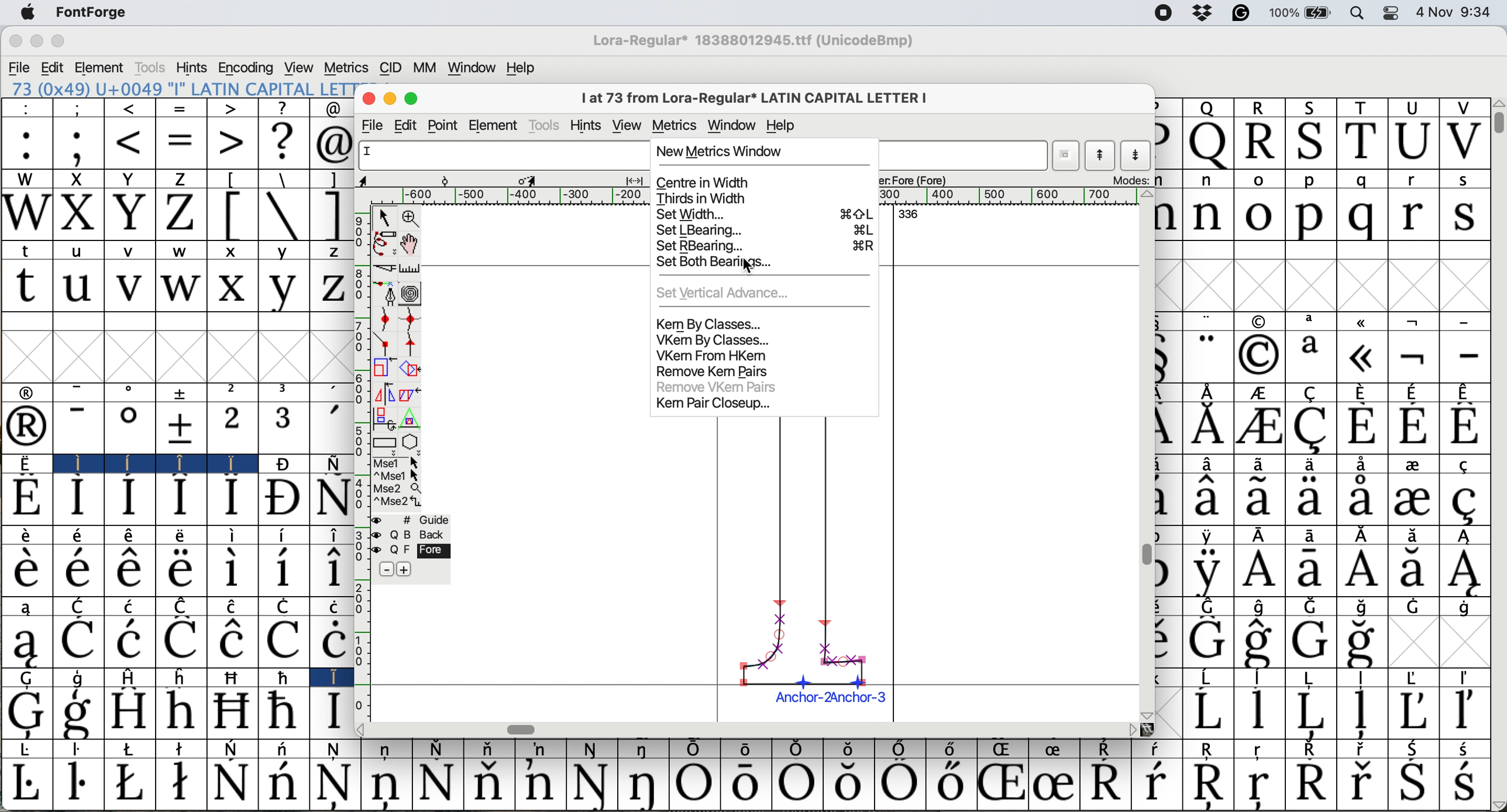 The image size is (1507, 812). Describe the element at coordinates (331, 641) in the screenshot. I see `Symbol` at that location.